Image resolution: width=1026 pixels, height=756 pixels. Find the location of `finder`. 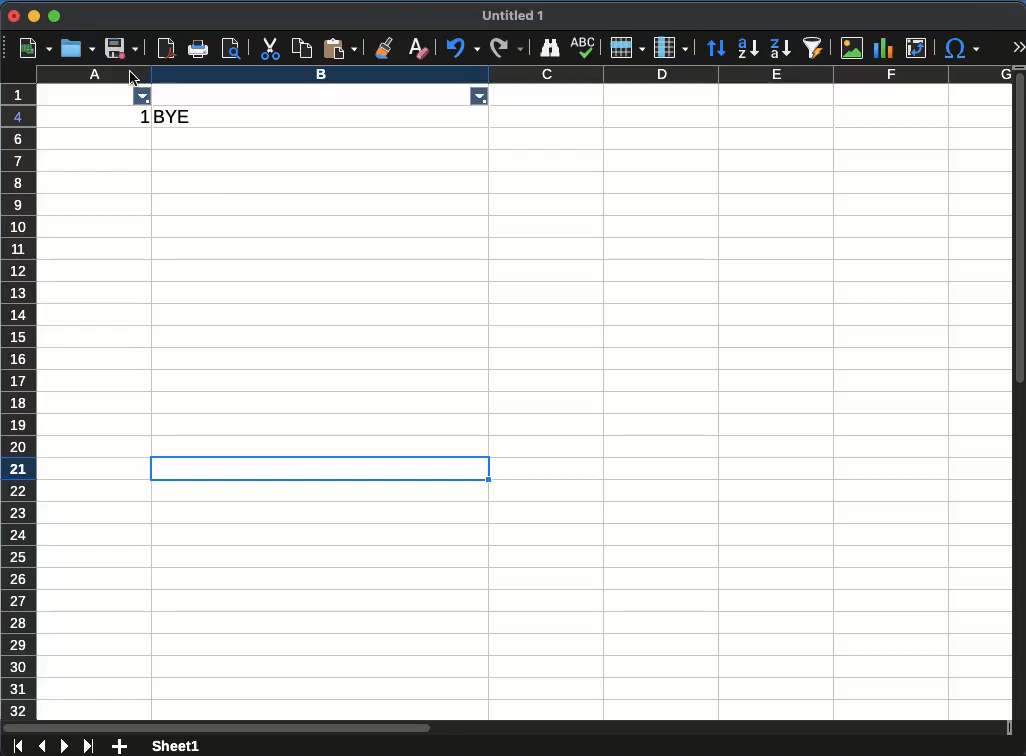

finder is located at coordinates (550, 48).